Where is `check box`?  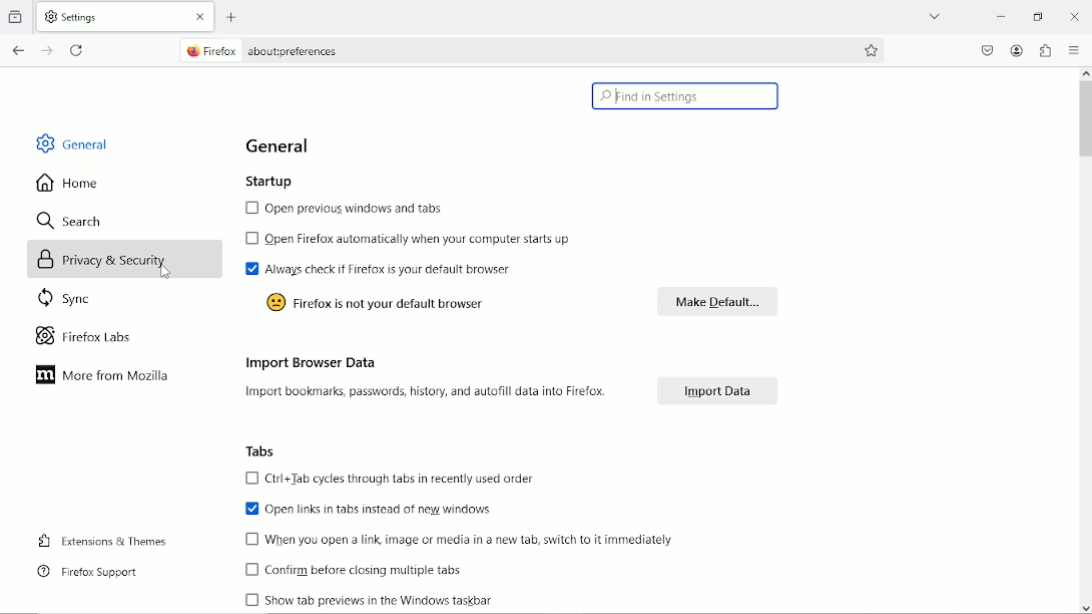 check box is located at coordinates (251, 268).